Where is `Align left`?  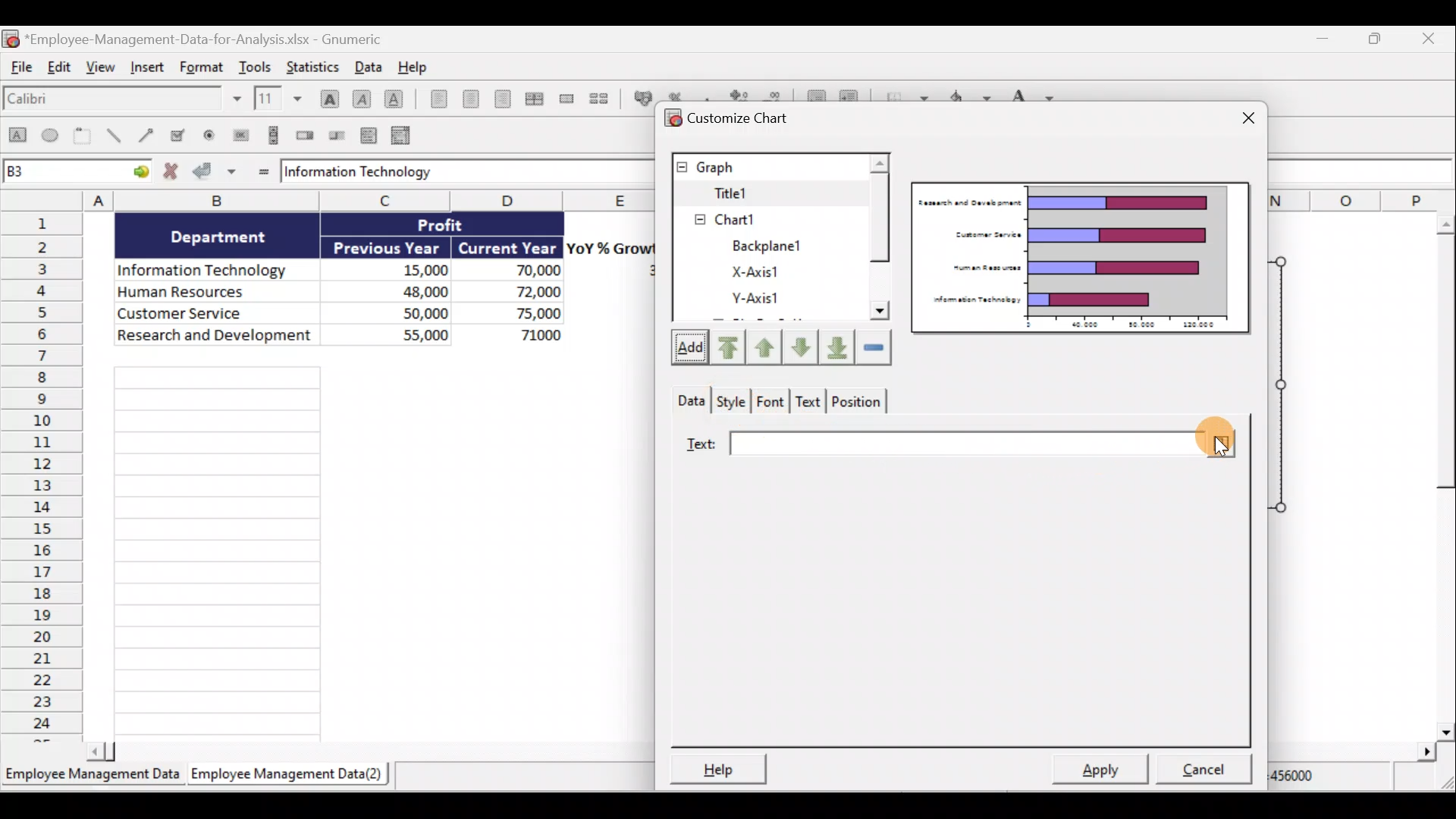 Align left is located at coordinates (434, 102).